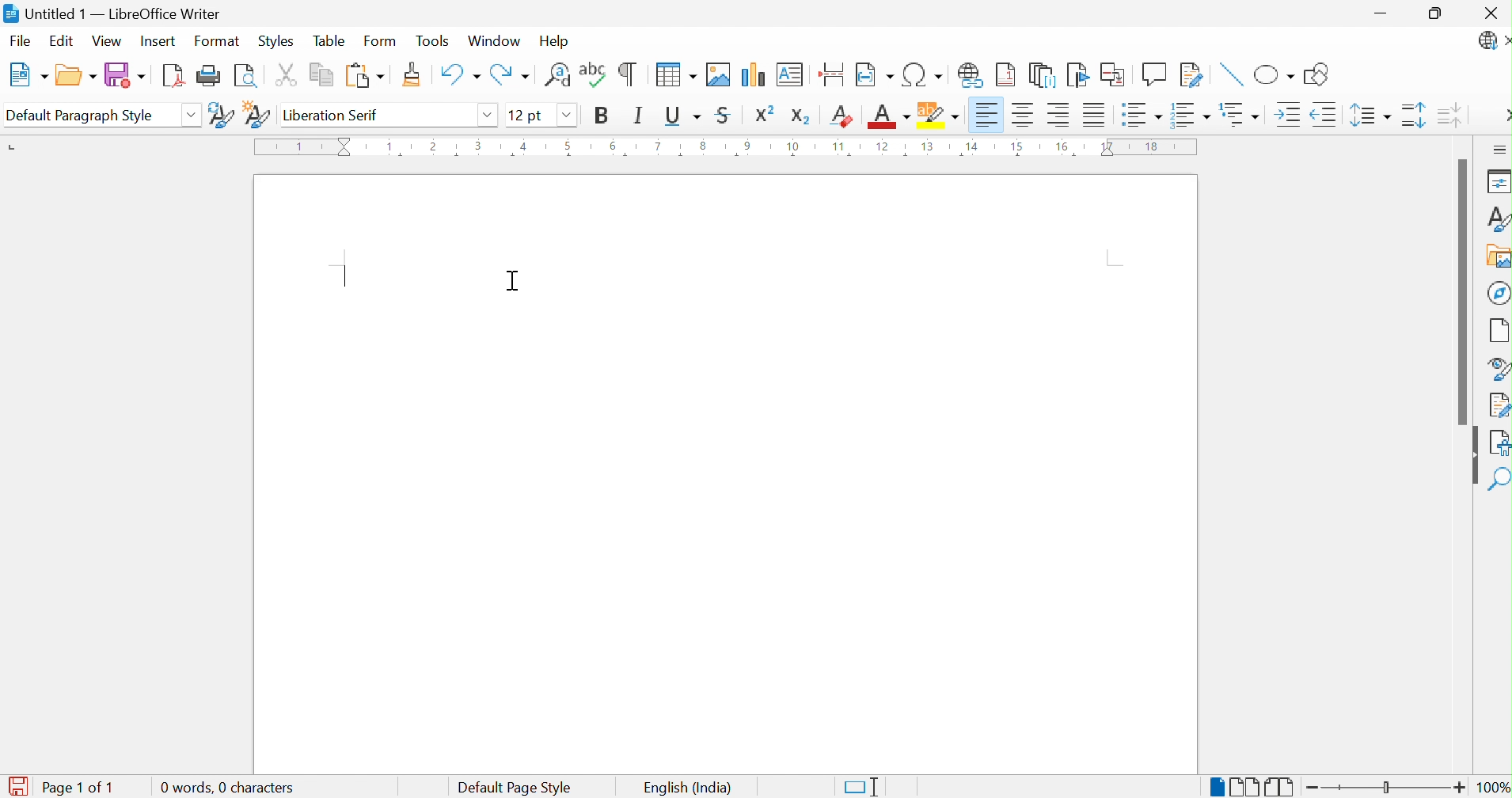  I want to click on Increase Indent, so click(1286, 115).